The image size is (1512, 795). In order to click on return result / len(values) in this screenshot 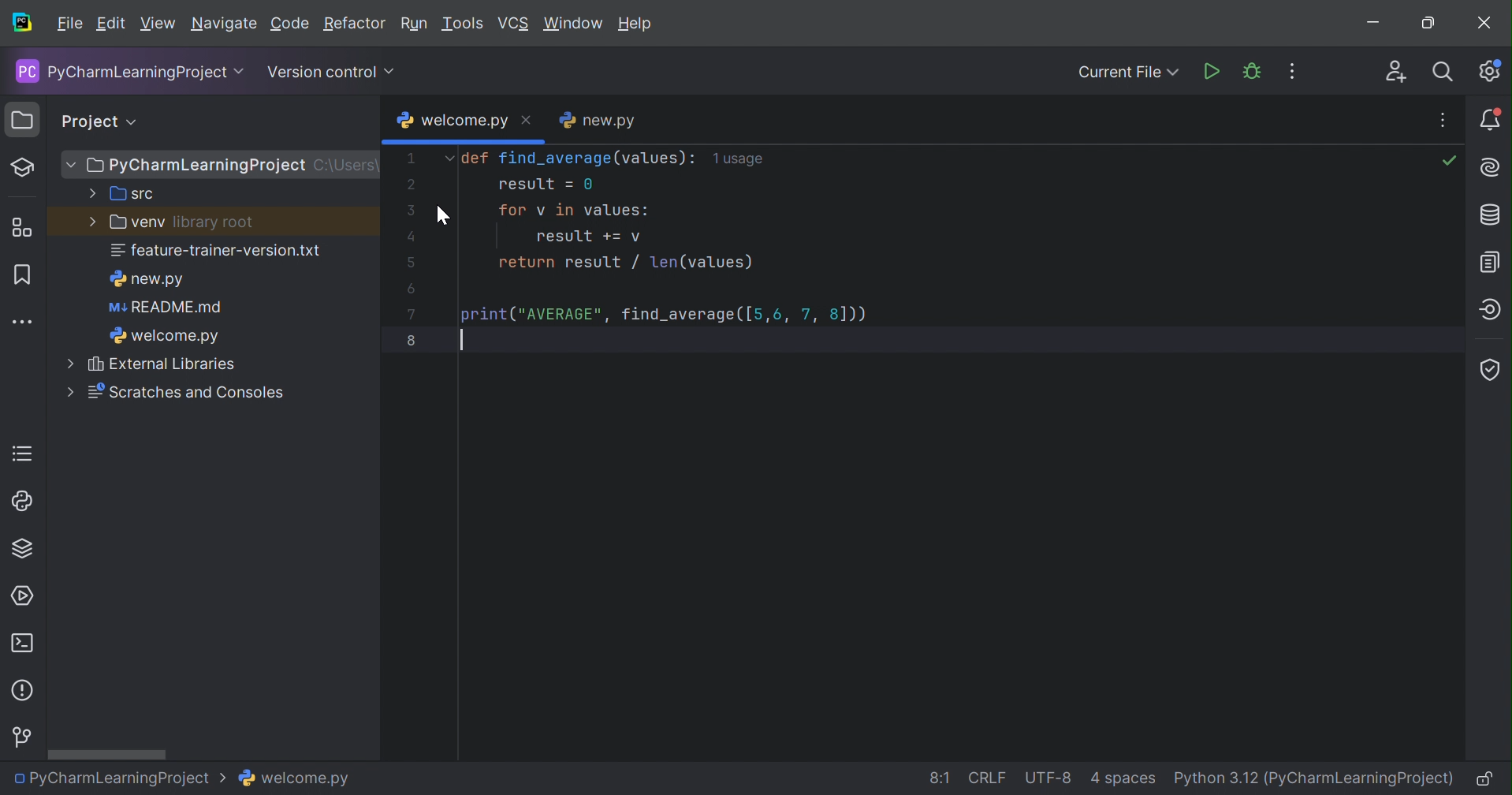, I will do `click(627, 263)`.